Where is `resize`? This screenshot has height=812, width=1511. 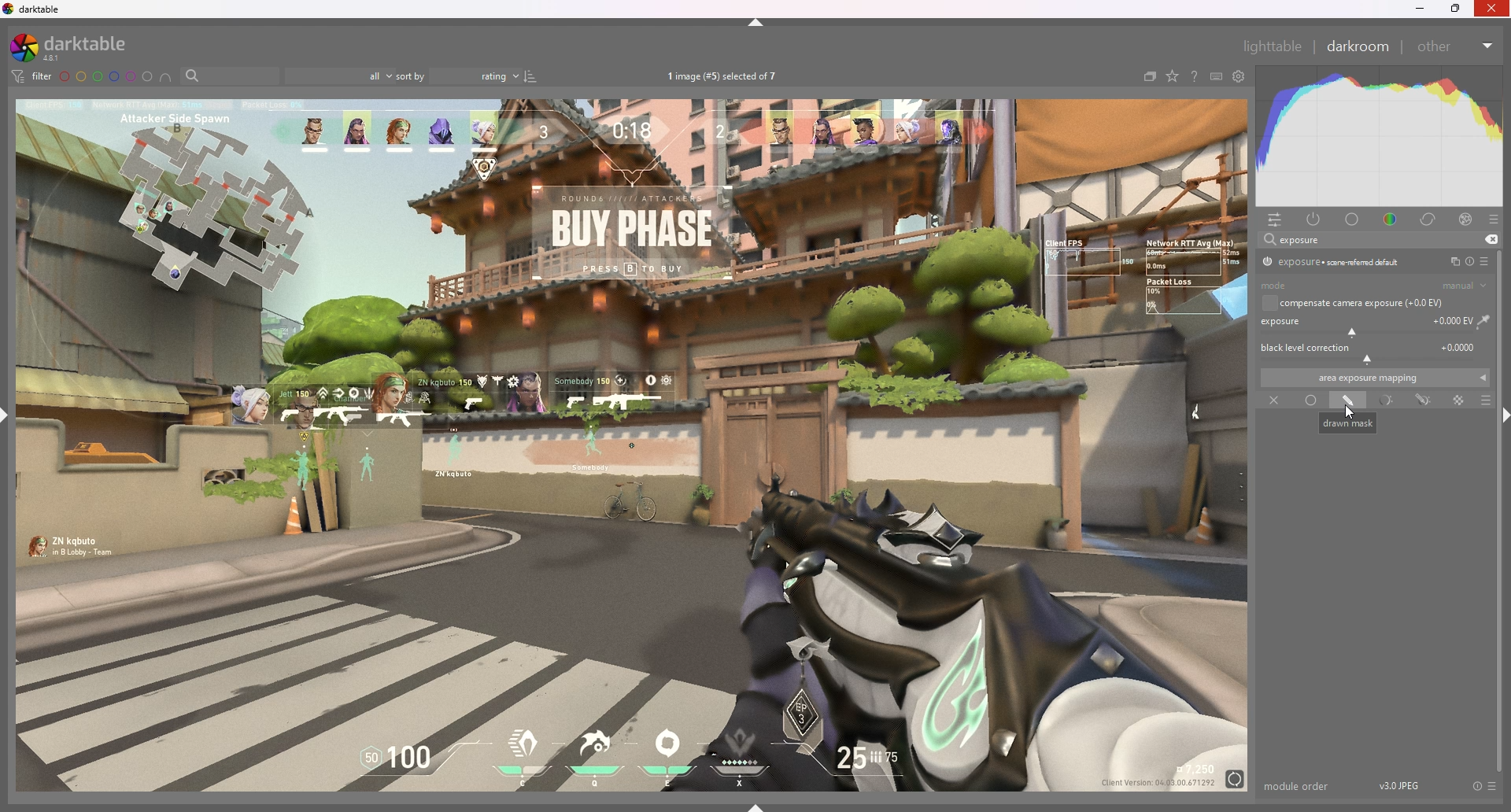
resize is located at coordinates (1456, 9).